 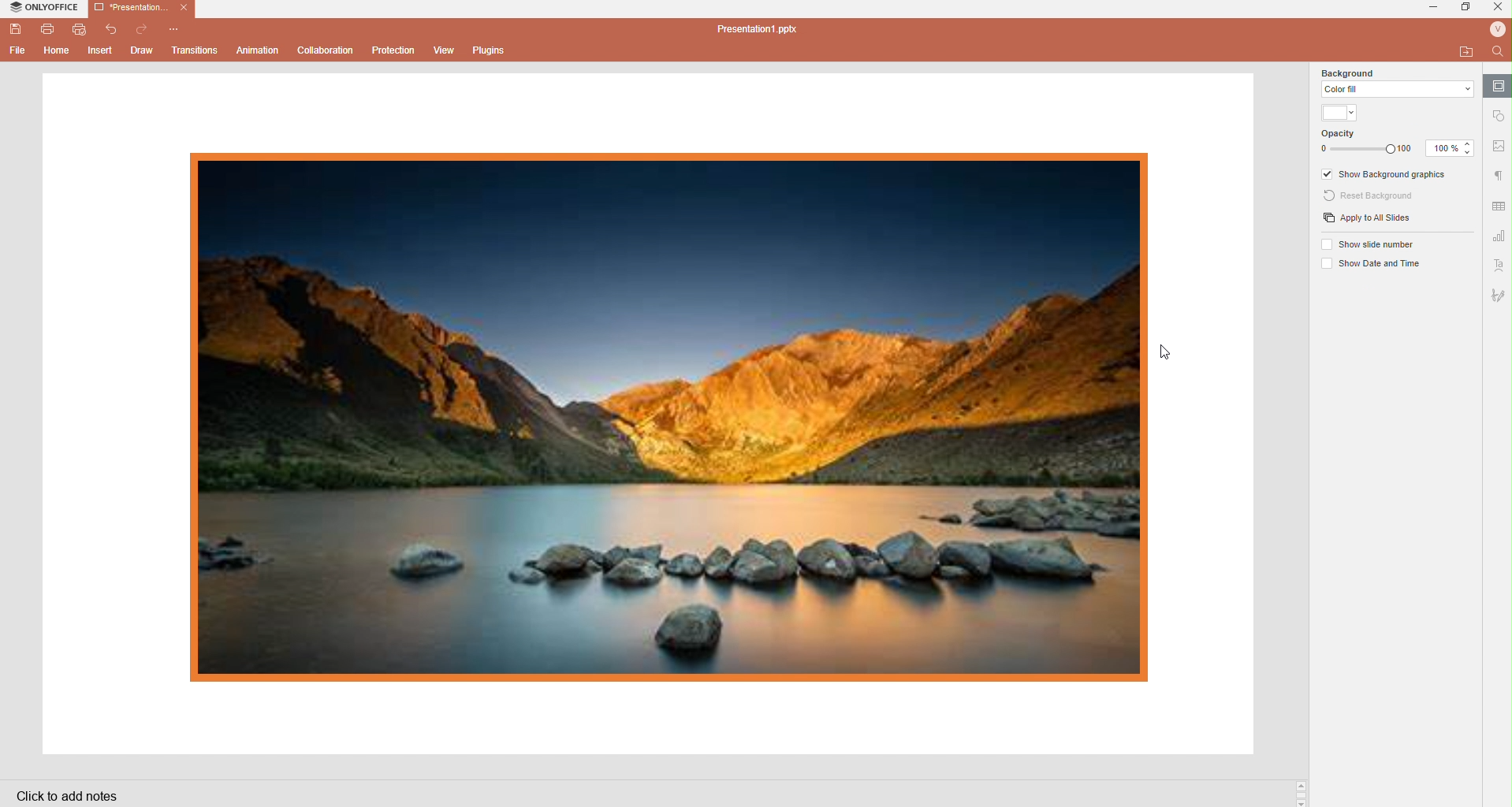 What do you see at coordinates (1438, 147) in the screenshot?
I see `100%` at bounding box center [1438, 147].